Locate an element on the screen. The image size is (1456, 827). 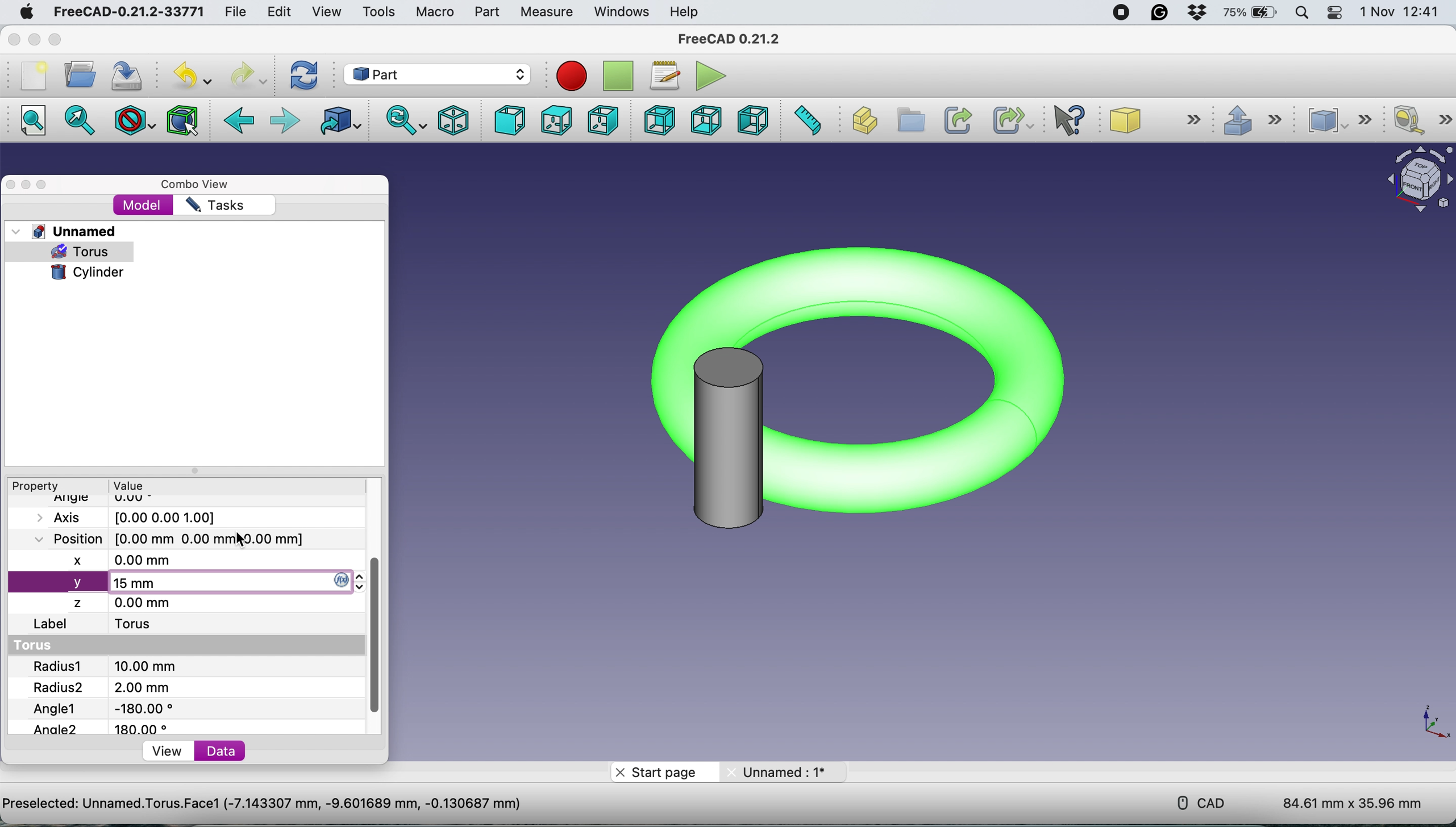
minimise is located at coordinates (27, 186).